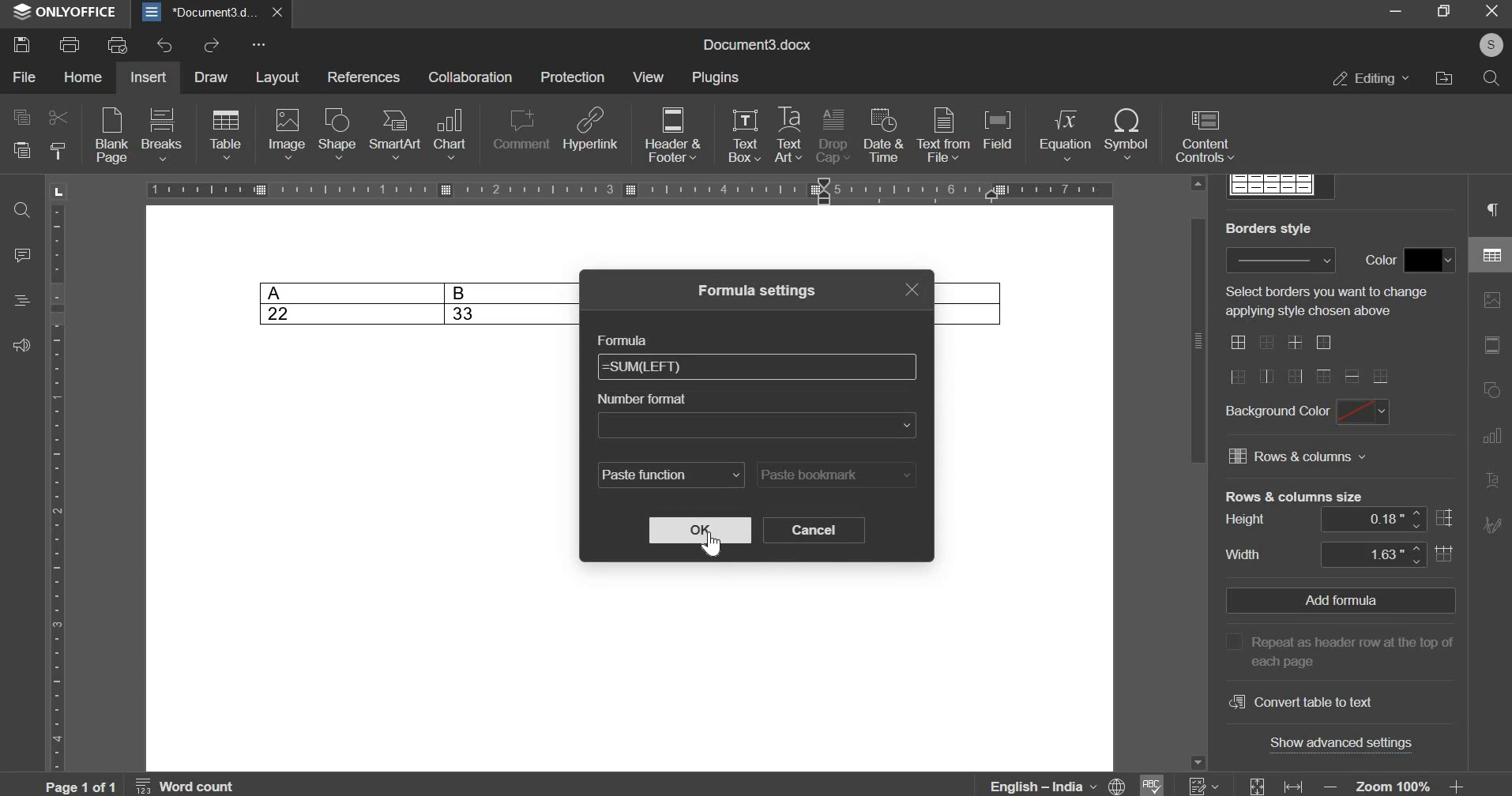 Image resolution: width=1512 pixels, height=796 pixels. Describe the element at coordinates (642, 399) in the screenshot. I see `number format` at that location.